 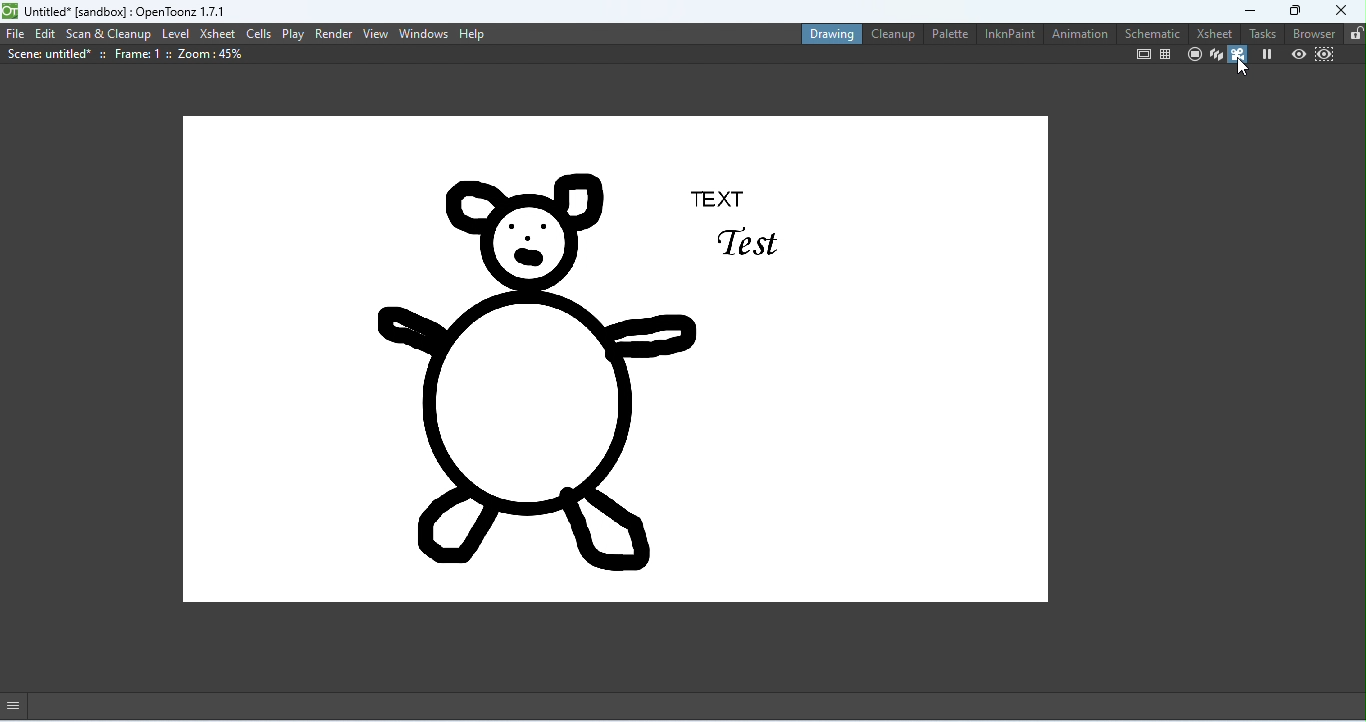 I want to click on Xsheet, so click(x=1210, y=32).